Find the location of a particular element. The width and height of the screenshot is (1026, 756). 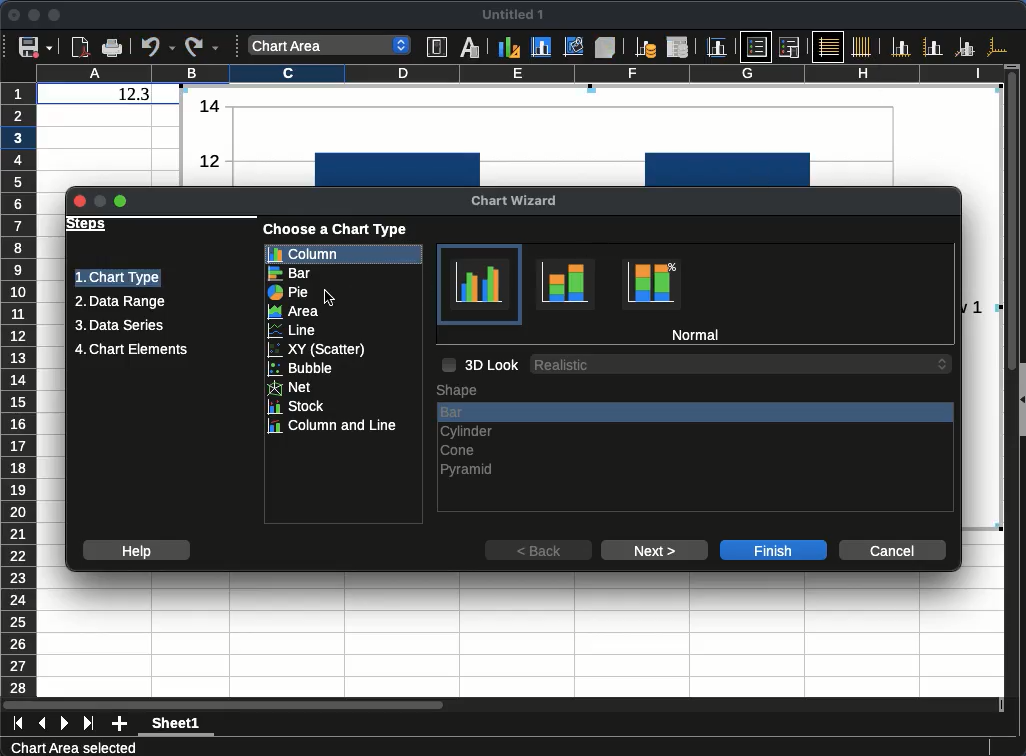

bar is located at coordinates (344, 273).